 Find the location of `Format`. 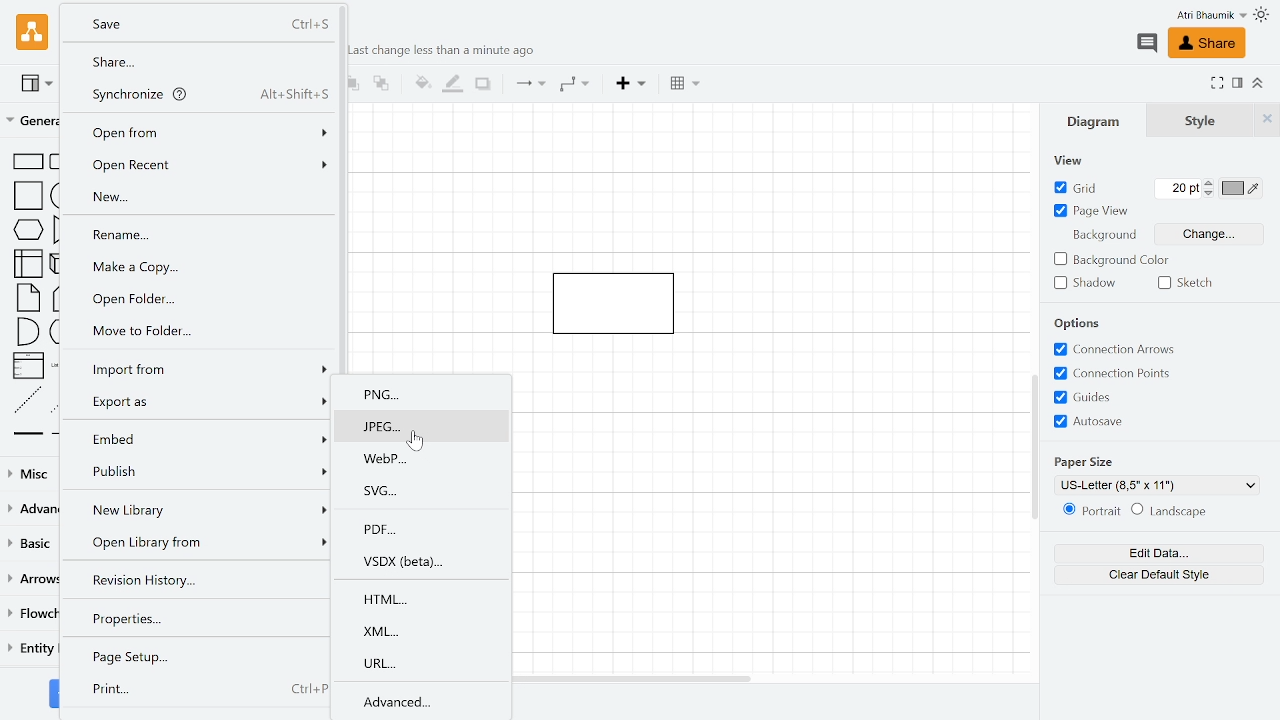

Format is located at coordinates (1237, 82).